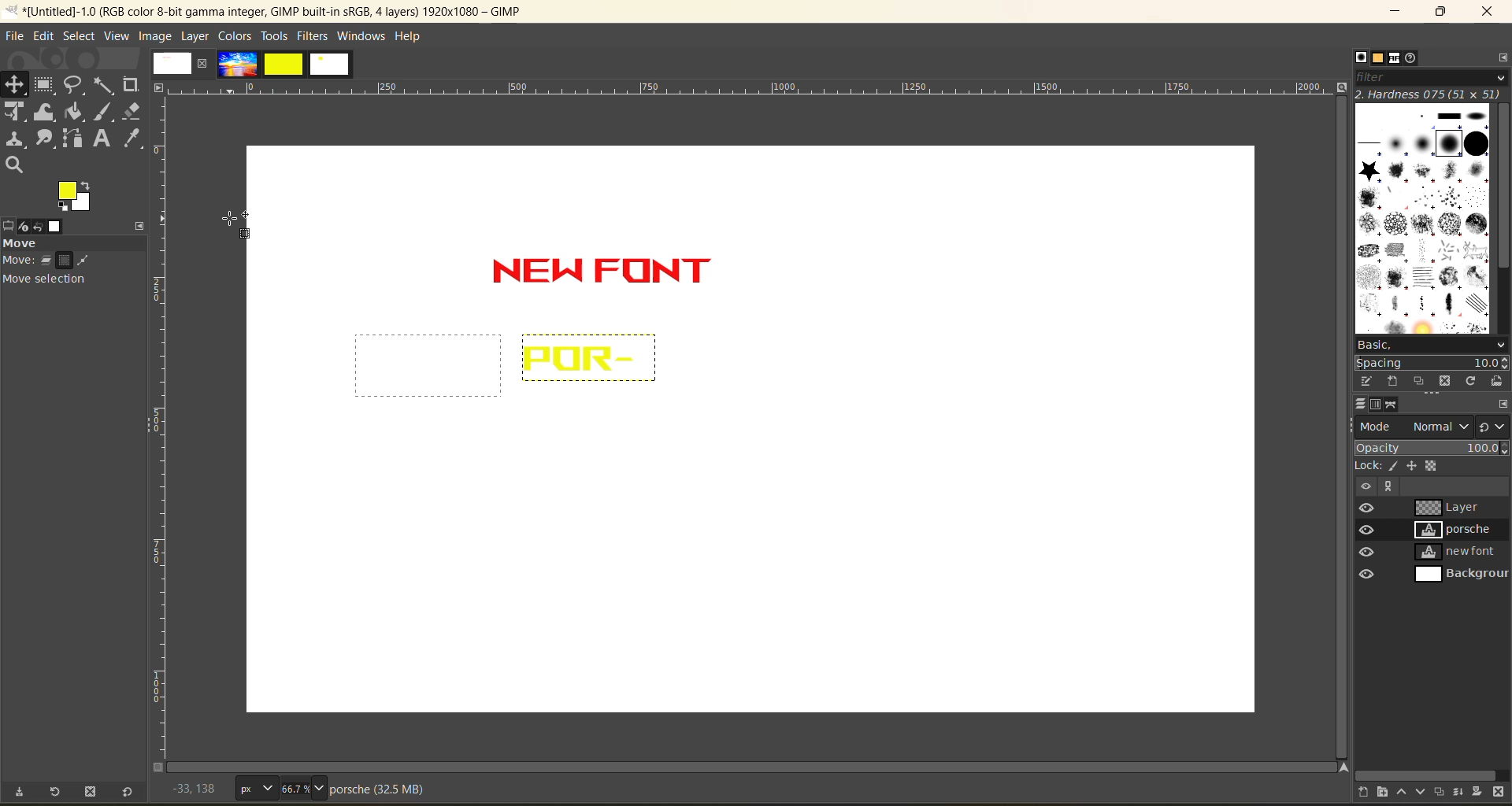 This screenshot has width=1512, height=806. I want to click on save tool preset, so click(22, 793).